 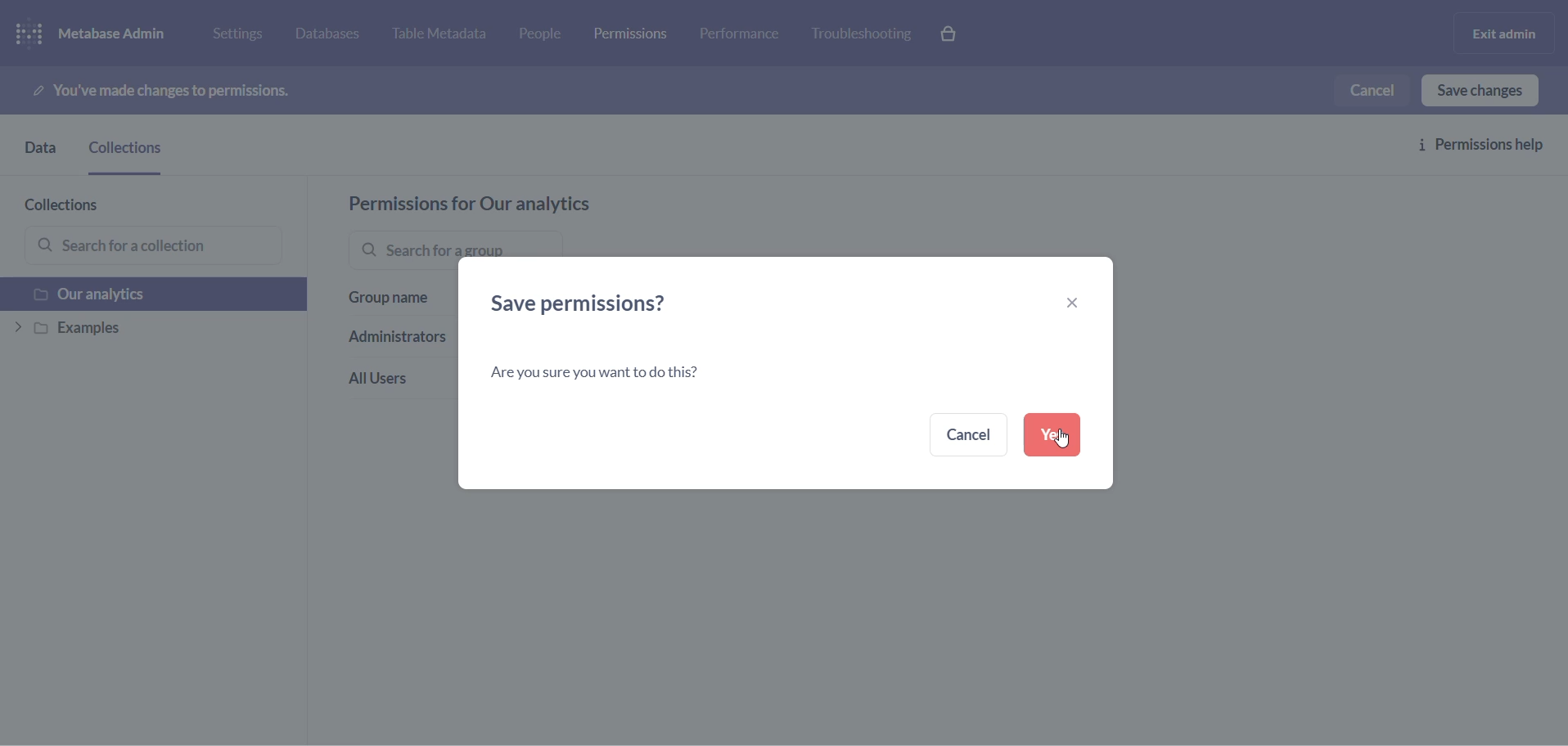 I want to click on paid version, so click(x=956, y=33).